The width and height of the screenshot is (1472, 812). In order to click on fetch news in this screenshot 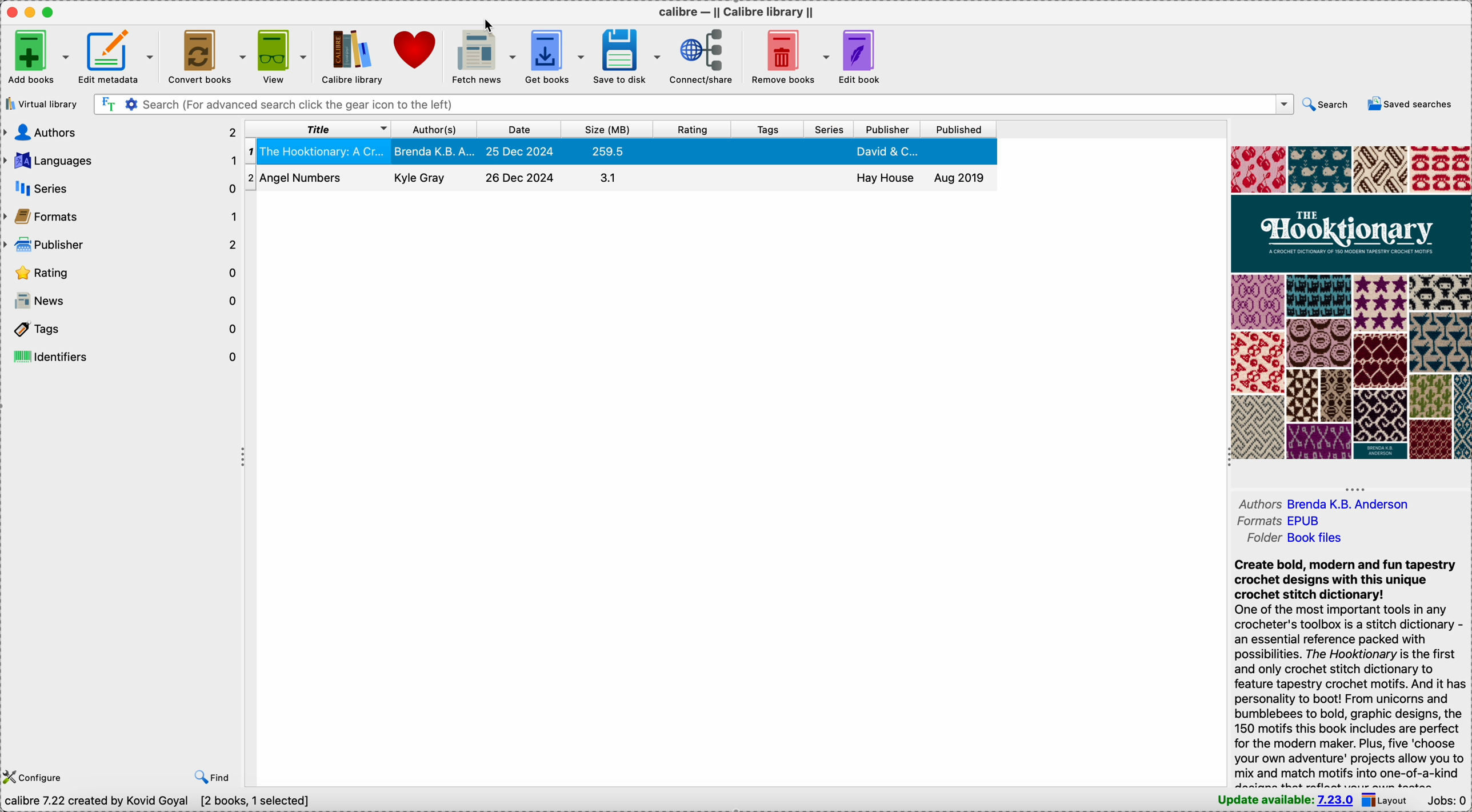, I will do `click(484, 54)`.